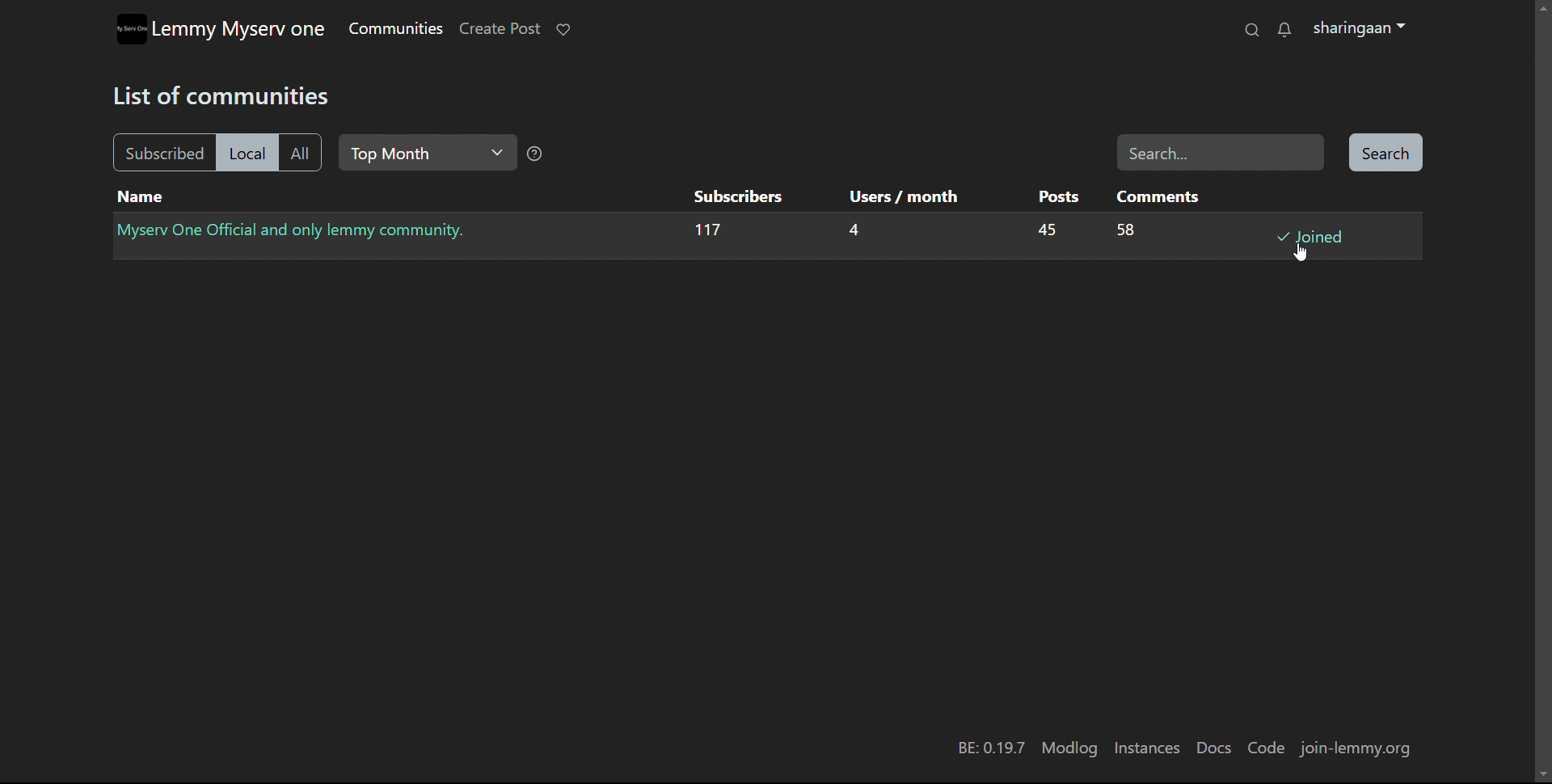 The width and height of the screenshot is (1552, 784). I want to click on docs, so click(1212, 748).